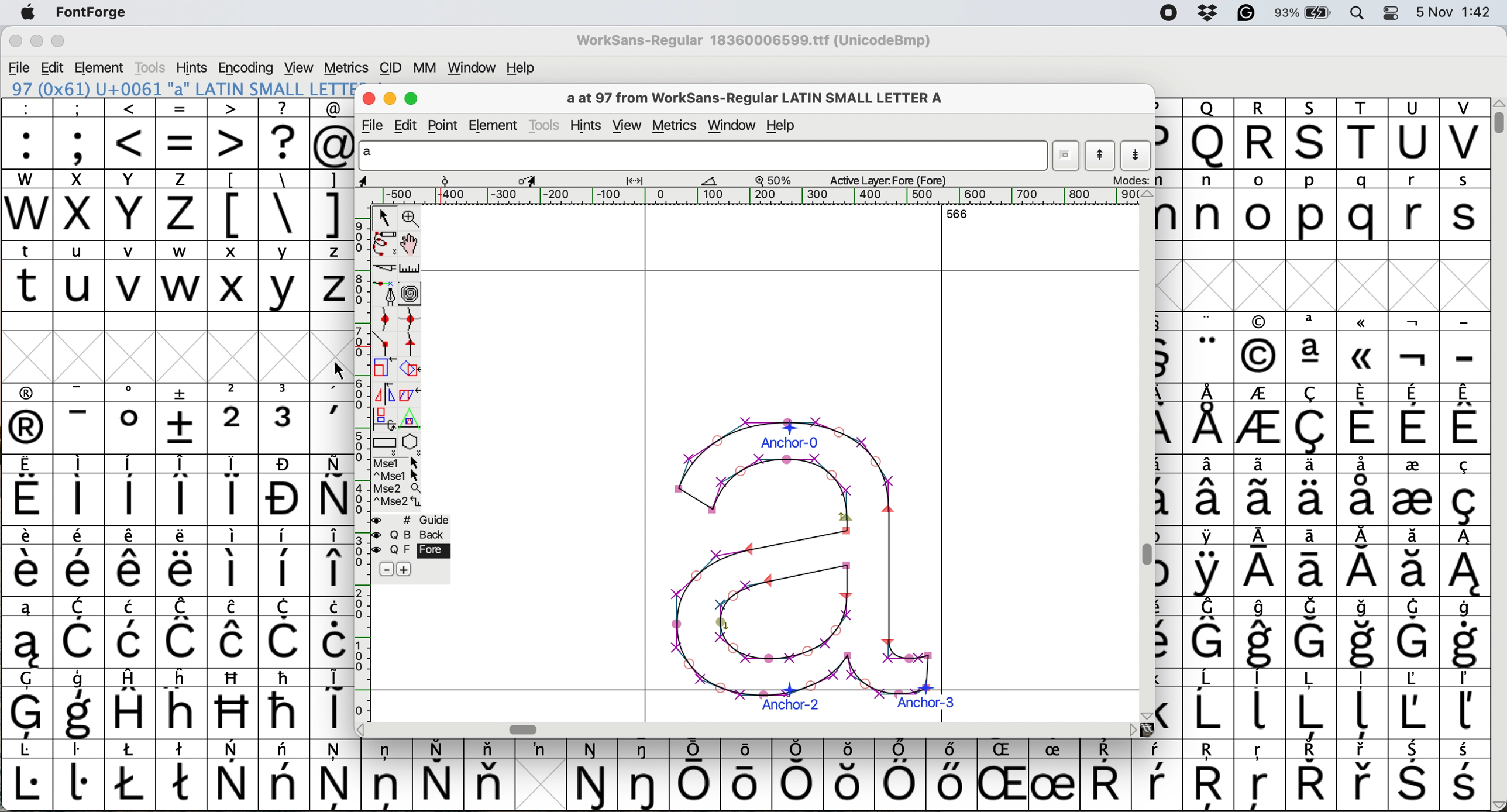 The height and width of the screenshot is (812, 1507). I want to click on control center, so click(1395, 12).